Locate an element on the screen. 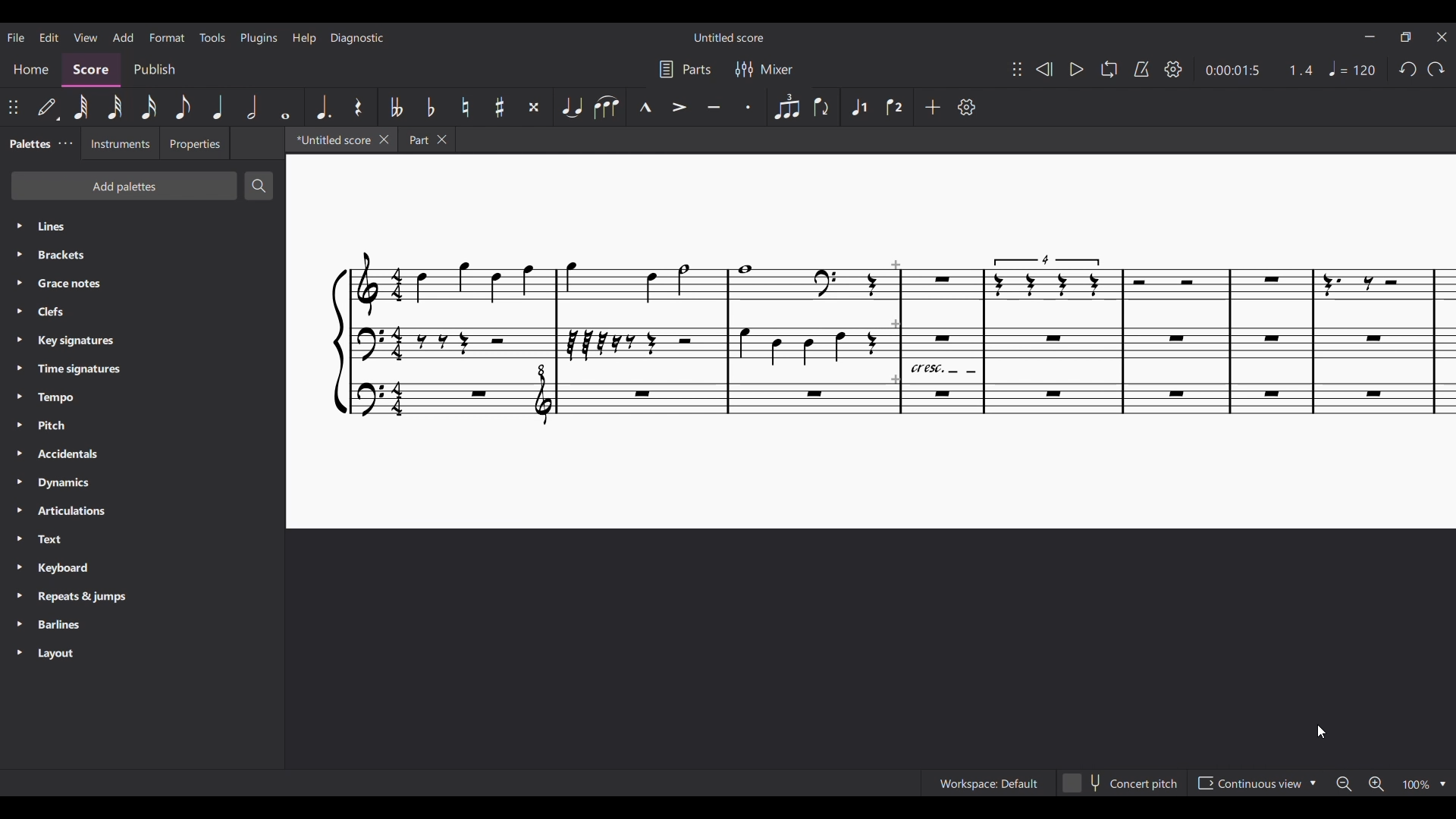  Flip direction is located at coordinates (822, 107).